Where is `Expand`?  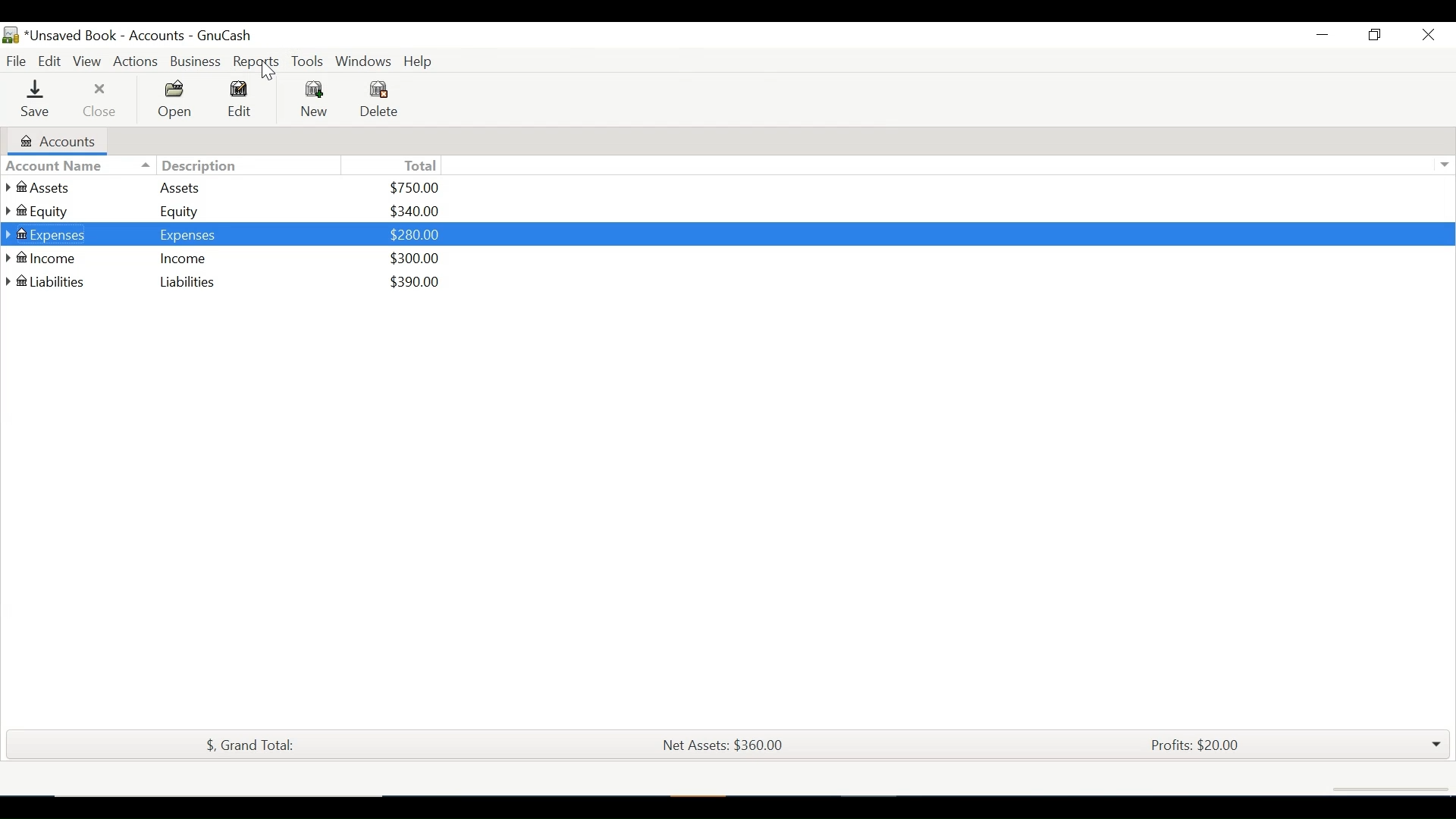
Expand is located at coordinates (1442, 165).